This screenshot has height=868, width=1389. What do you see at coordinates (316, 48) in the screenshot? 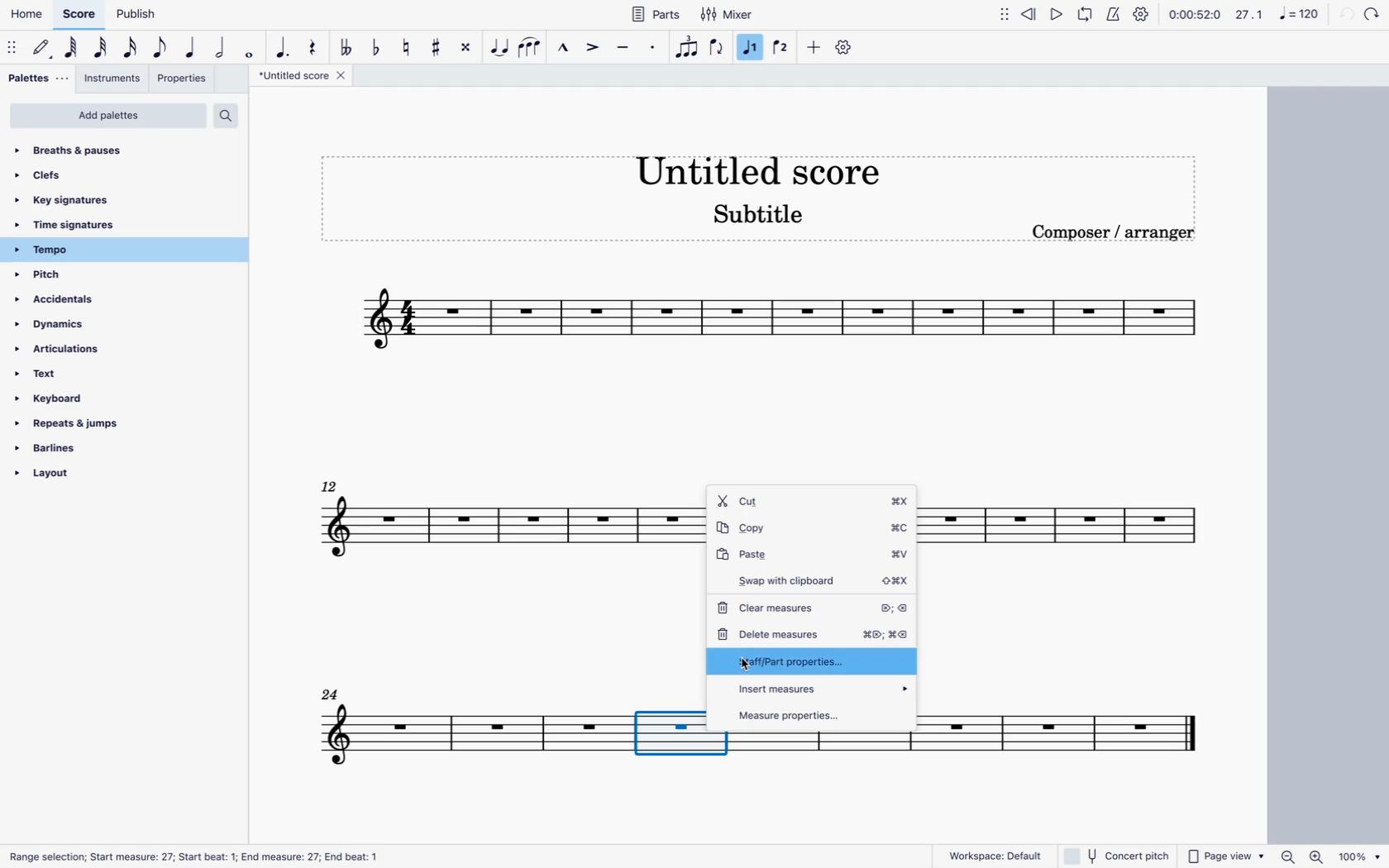
I see `rest` at bounding box center [316, 48].